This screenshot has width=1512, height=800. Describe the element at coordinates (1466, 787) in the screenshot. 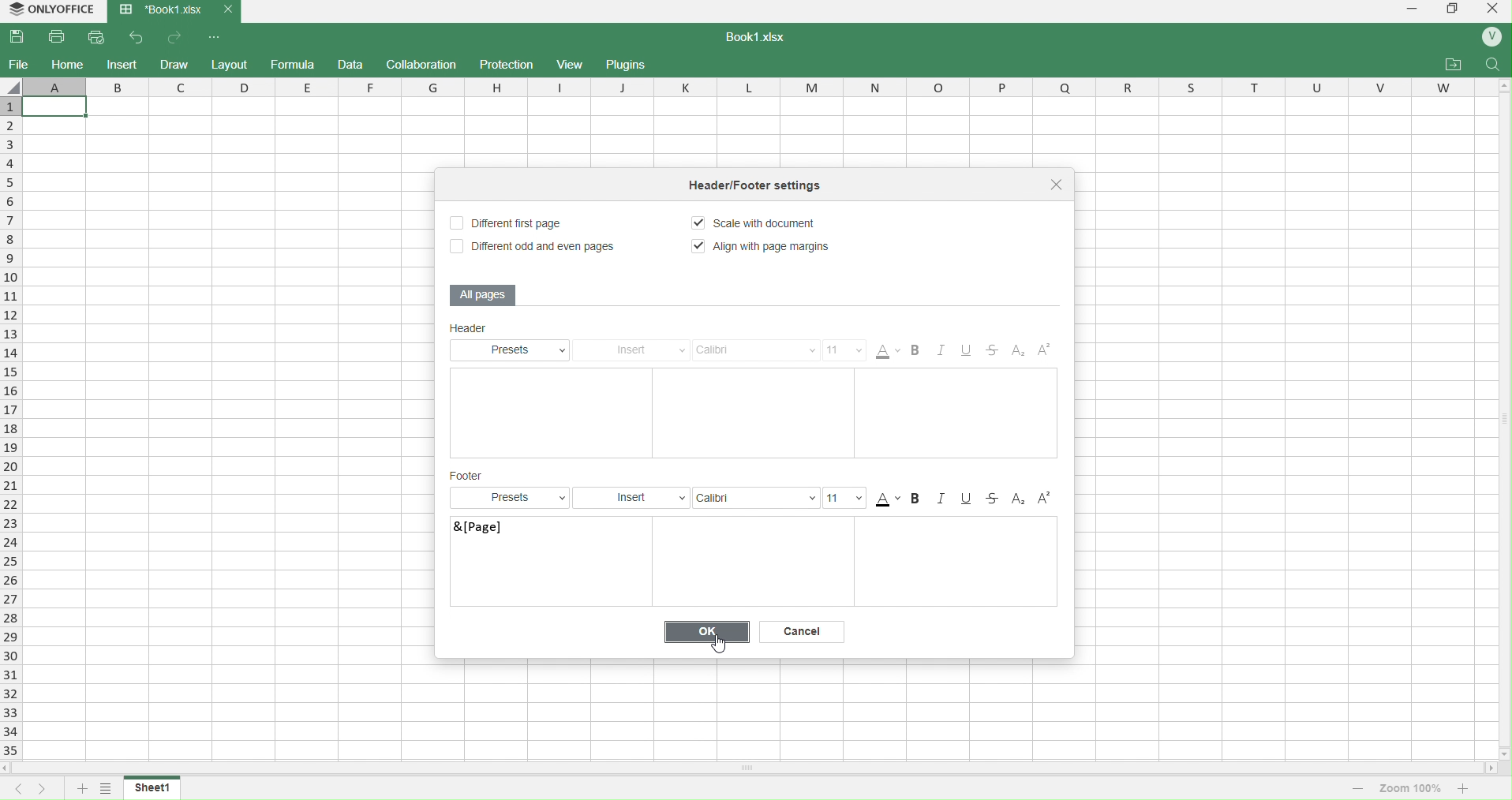

I see `increase zoom ` at that location.